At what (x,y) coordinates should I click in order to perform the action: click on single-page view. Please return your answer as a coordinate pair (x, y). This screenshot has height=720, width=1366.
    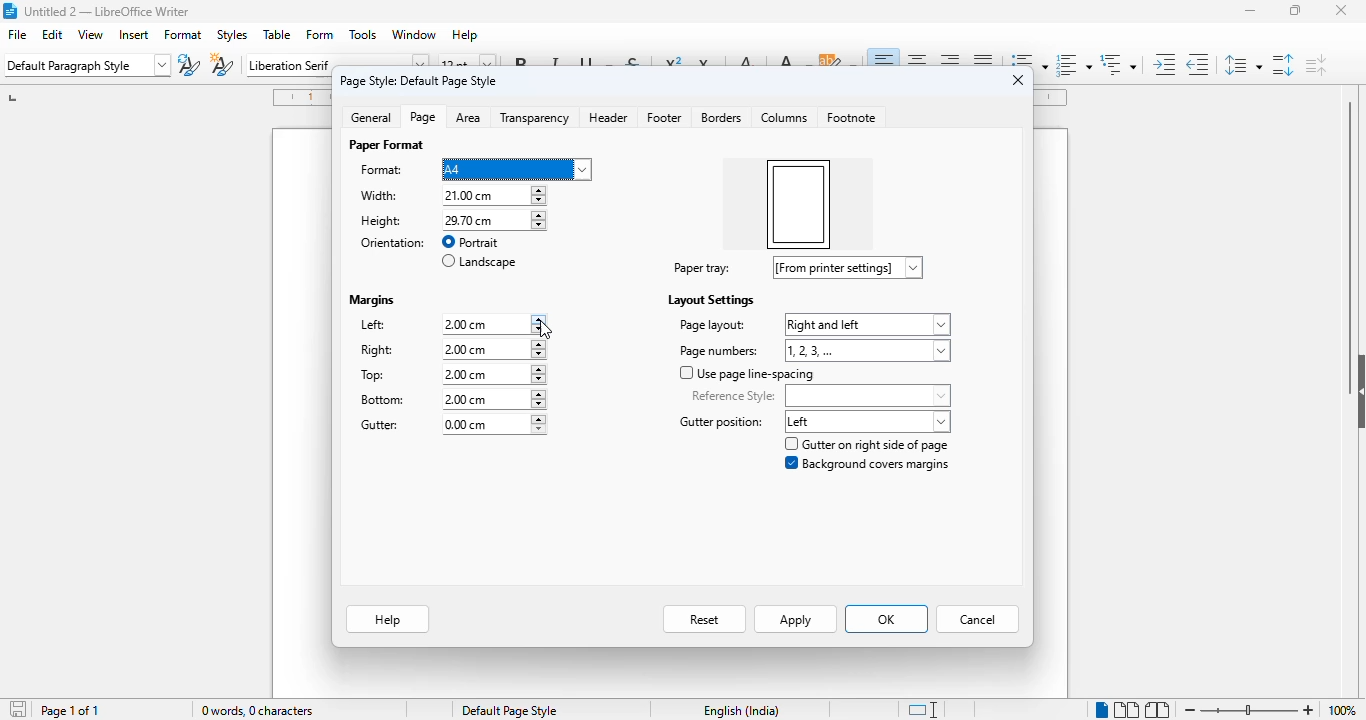
    Looking at the image, I should click on (1101, 710).